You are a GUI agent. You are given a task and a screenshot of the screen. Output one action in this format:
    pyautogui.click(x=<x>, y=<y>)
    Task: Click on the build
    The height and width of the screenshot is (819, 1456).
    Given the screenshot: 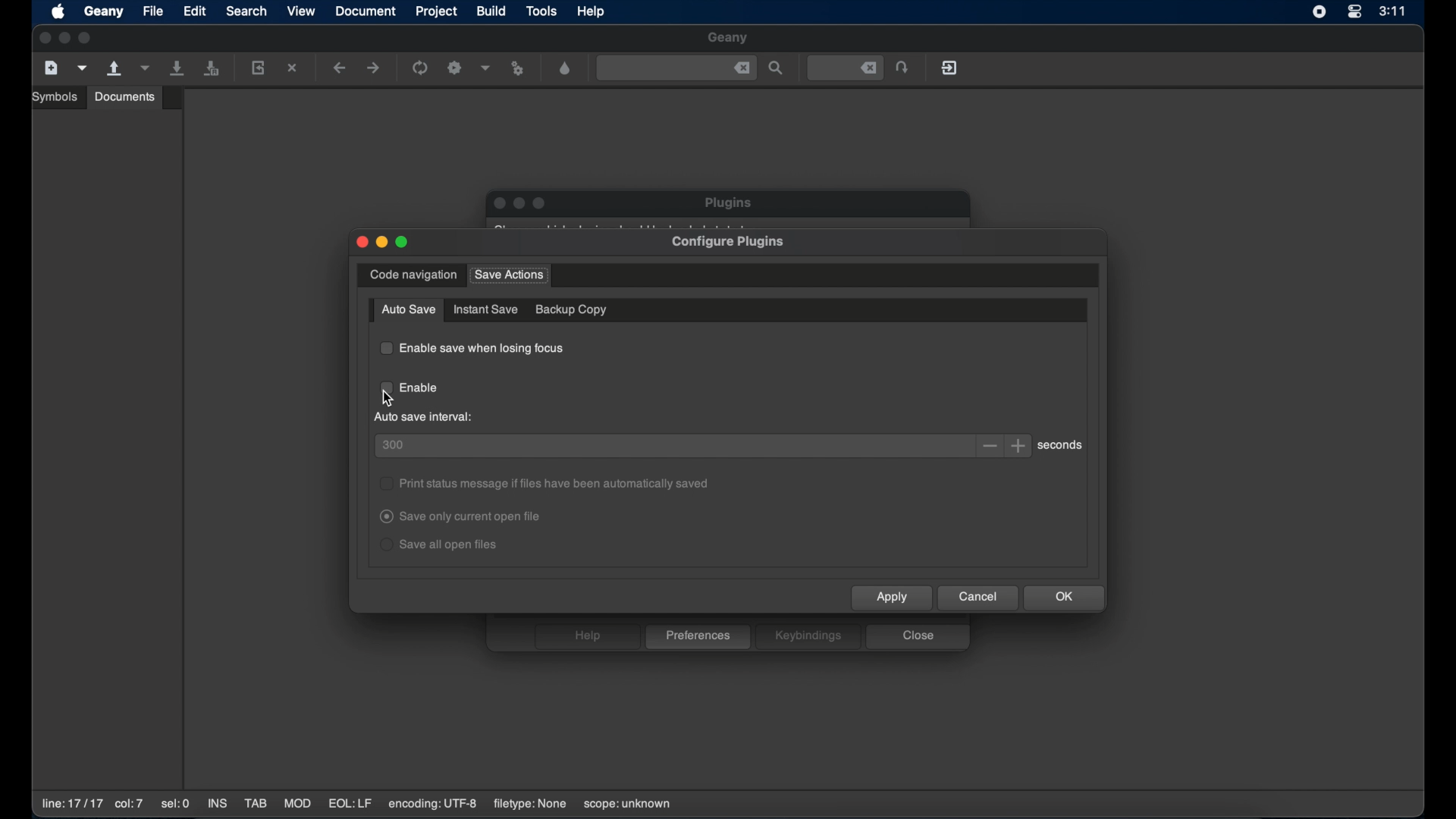 What is the action you would take?
    pyautogui.click(x=492, y=11)
    